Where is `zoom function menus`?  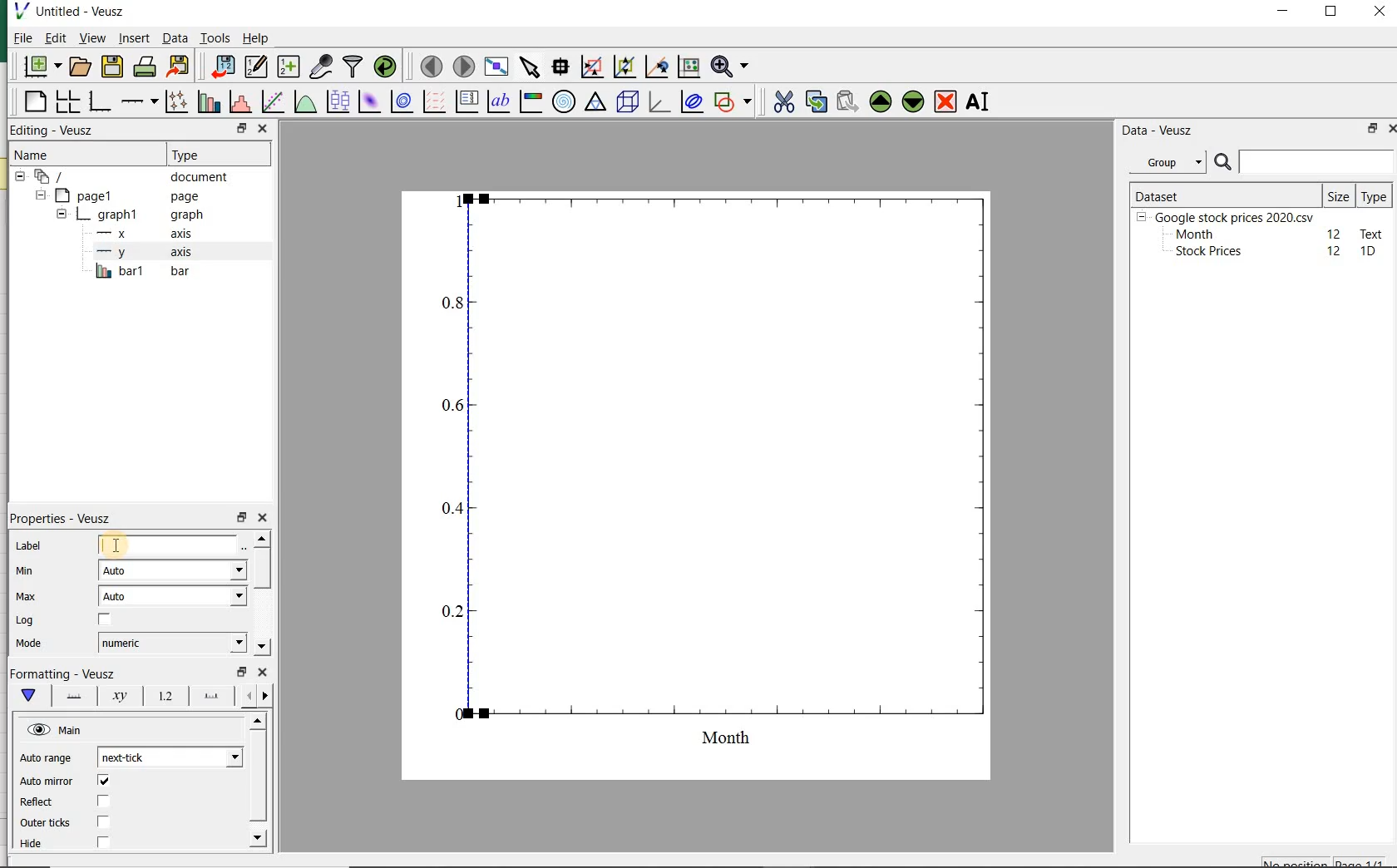 zoom function menus is located at coordinates (733, 67).